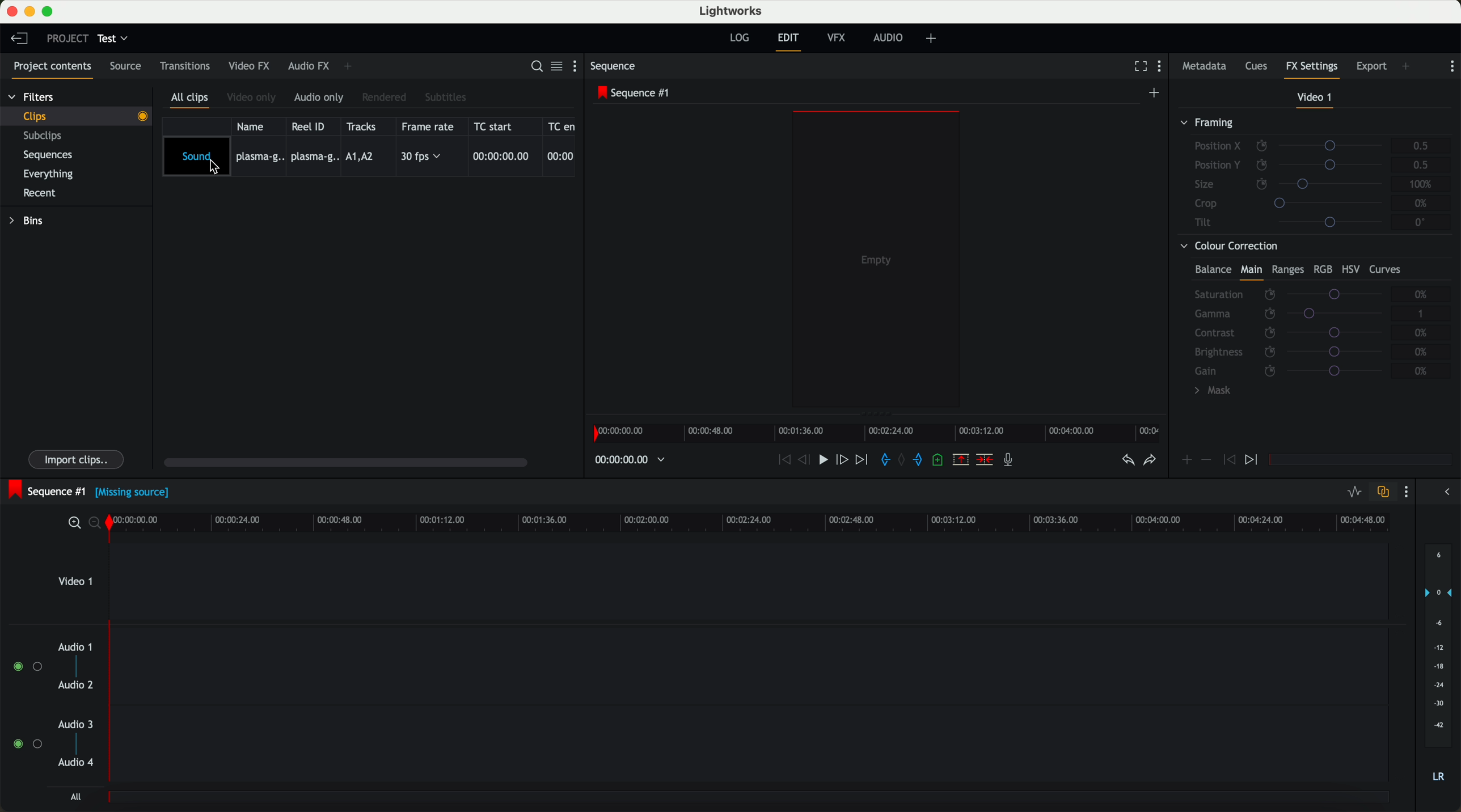  Describe the element at coordinates (961, 460) in the screenshot. I see `remove the marked section` at that location.